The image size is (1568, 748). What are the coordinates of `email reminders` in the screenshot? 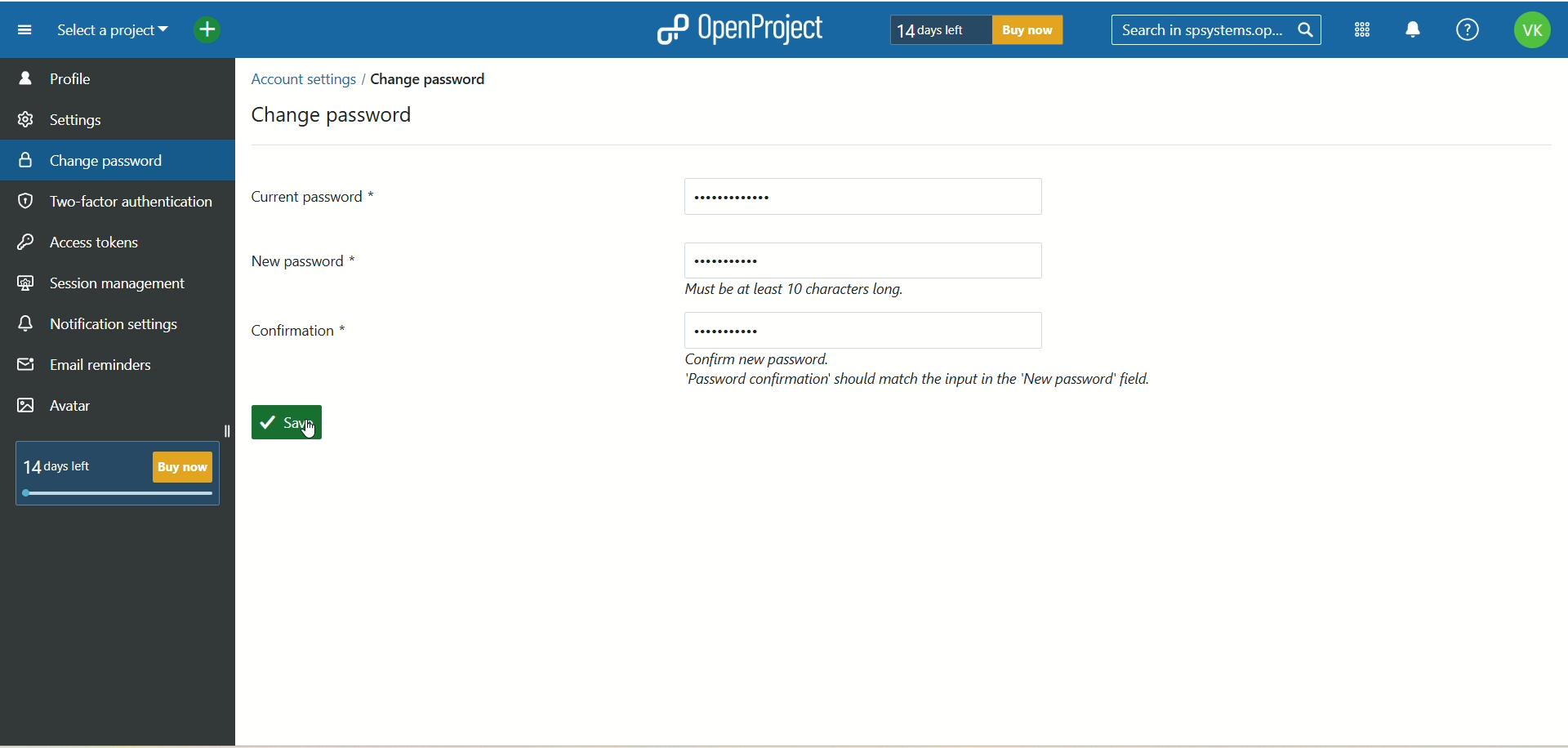 It's located at (90, 368).